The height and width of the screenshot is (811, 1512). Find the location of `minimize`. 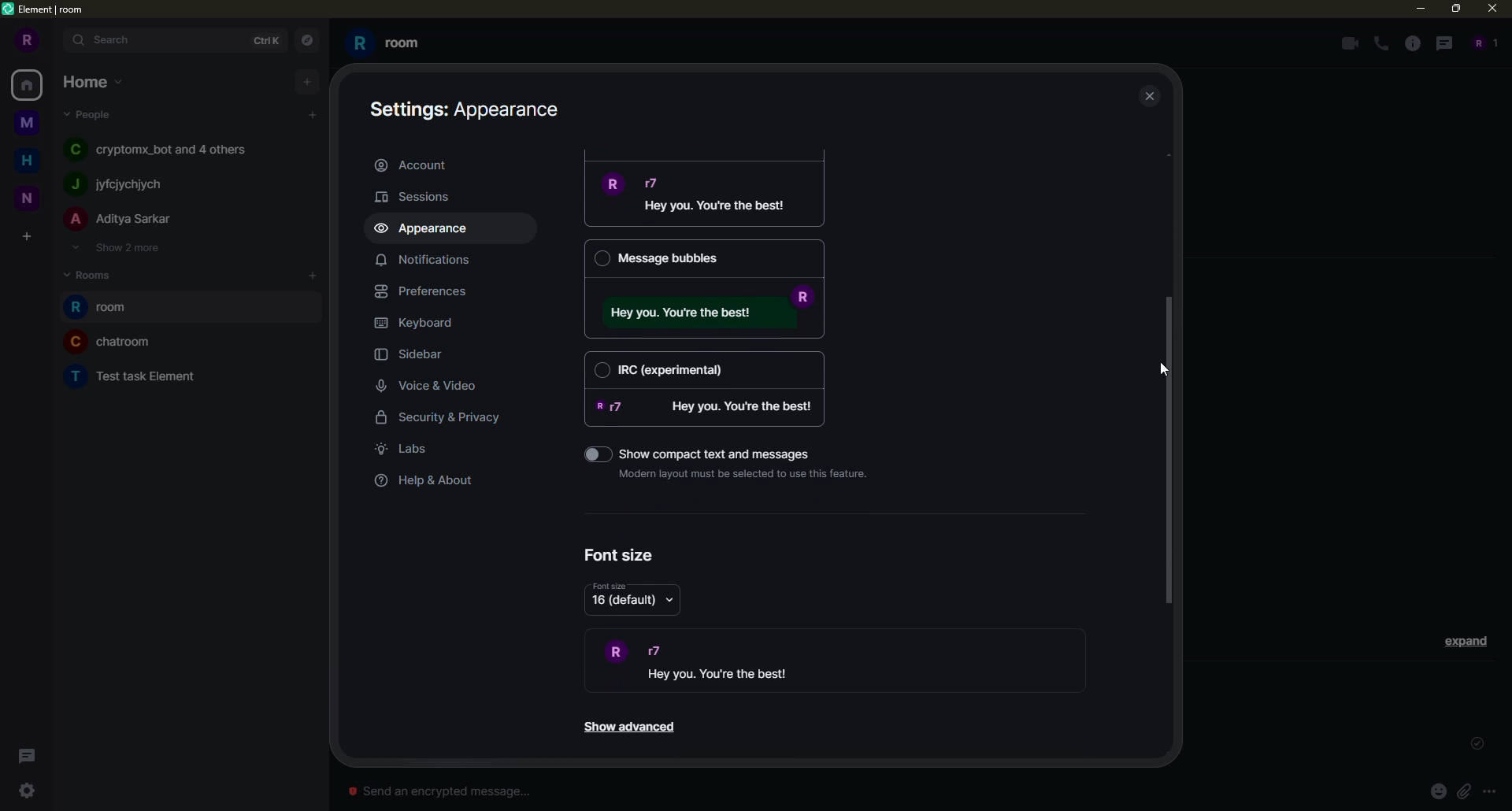

minimize is located at coordinates (1415, 8).